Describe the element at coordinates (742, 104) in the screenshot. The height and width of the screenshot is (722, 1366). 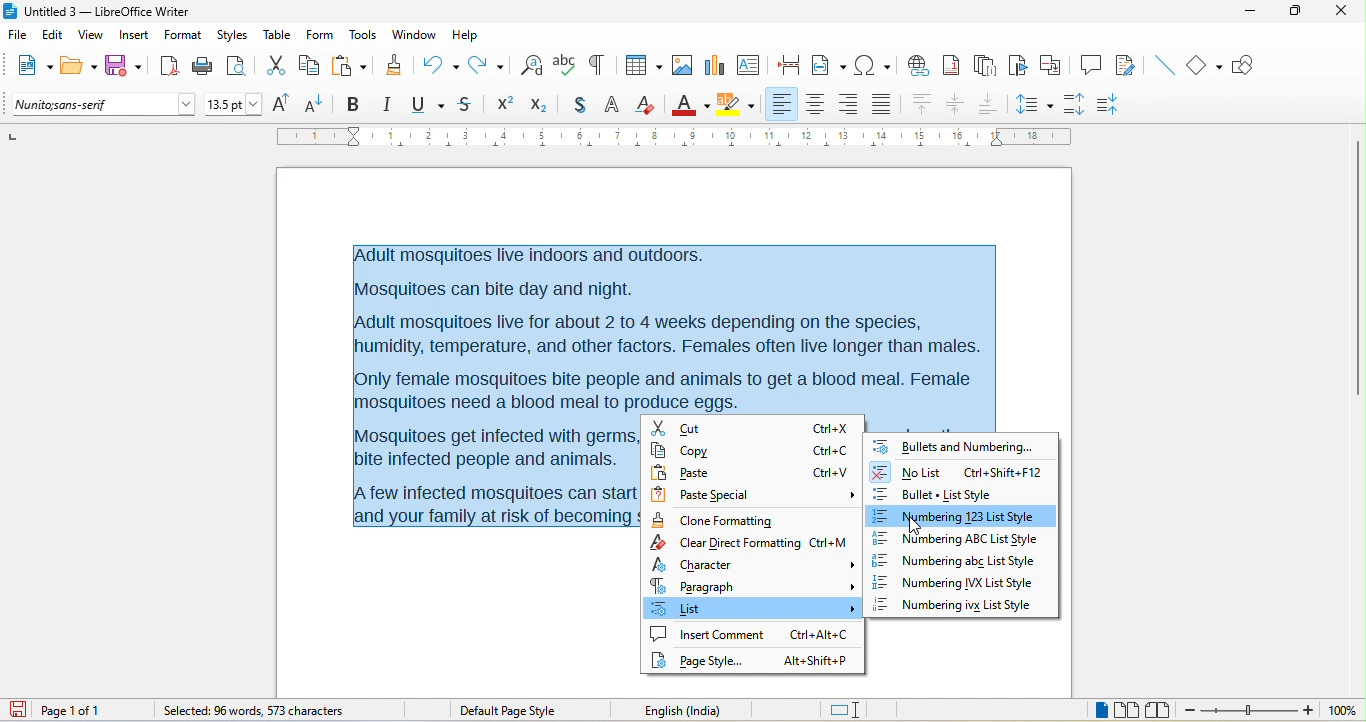
I see `character highlighting` at that location.